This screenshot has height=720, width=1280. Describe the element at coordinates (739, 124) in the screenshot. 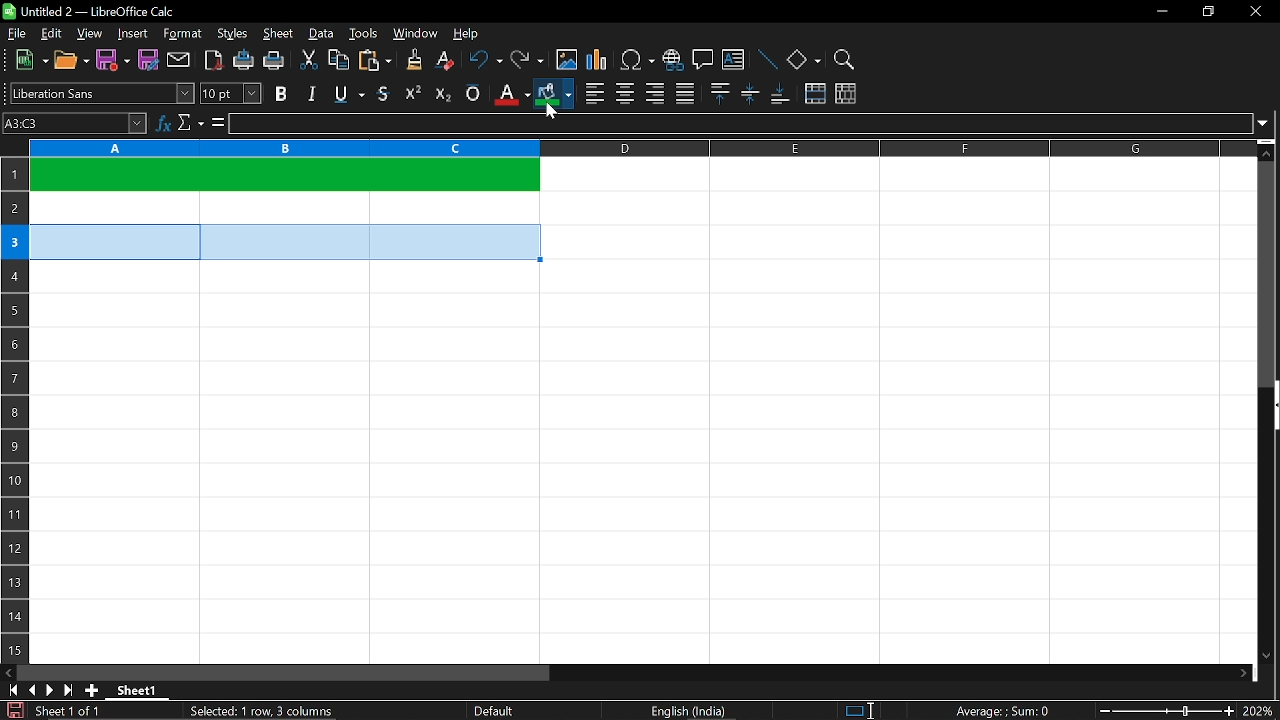

I see `input line` at that location.